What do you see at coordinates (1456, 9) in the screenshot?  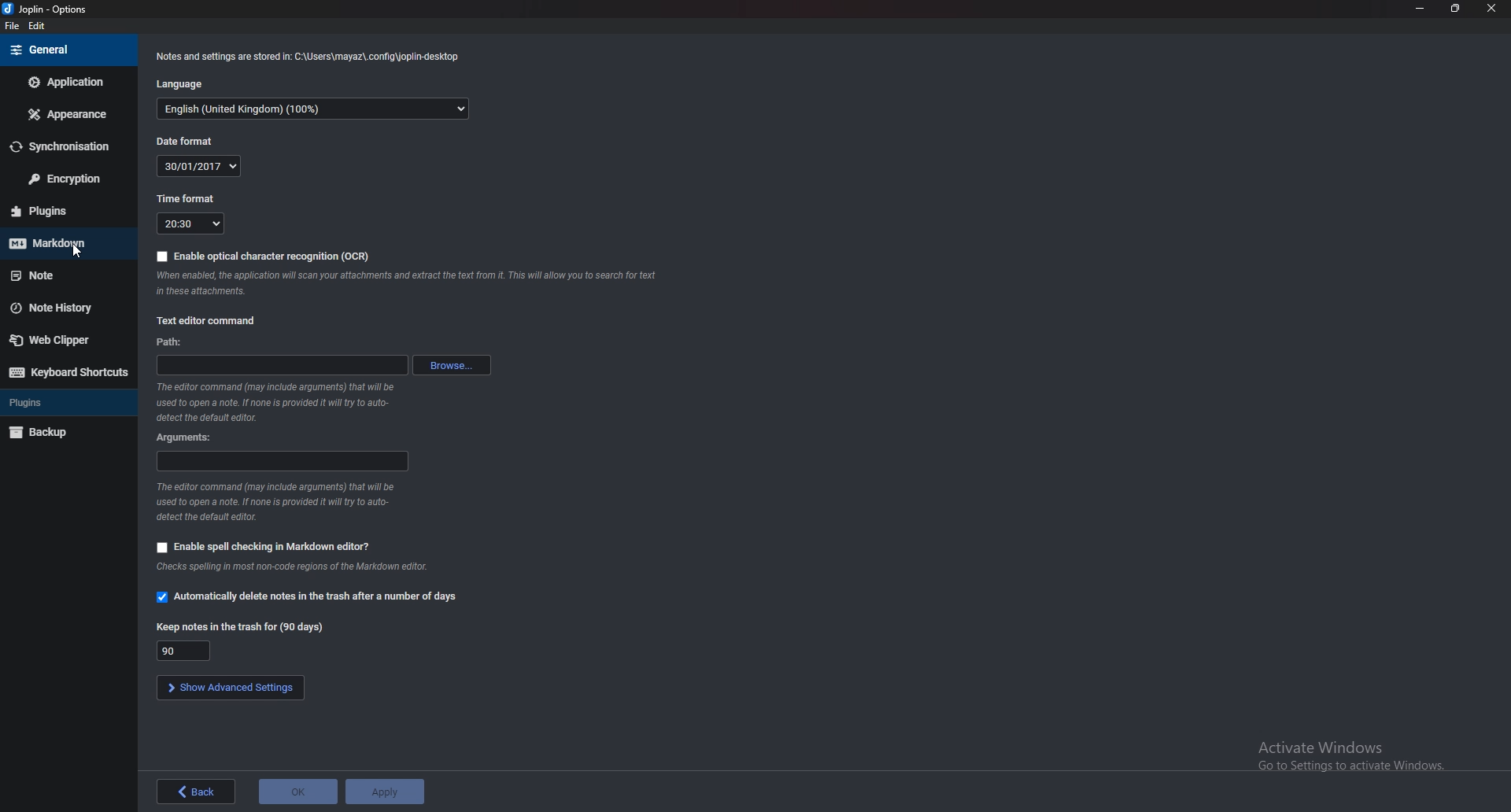 I see `Resize` at bounding box center [1456, 9].